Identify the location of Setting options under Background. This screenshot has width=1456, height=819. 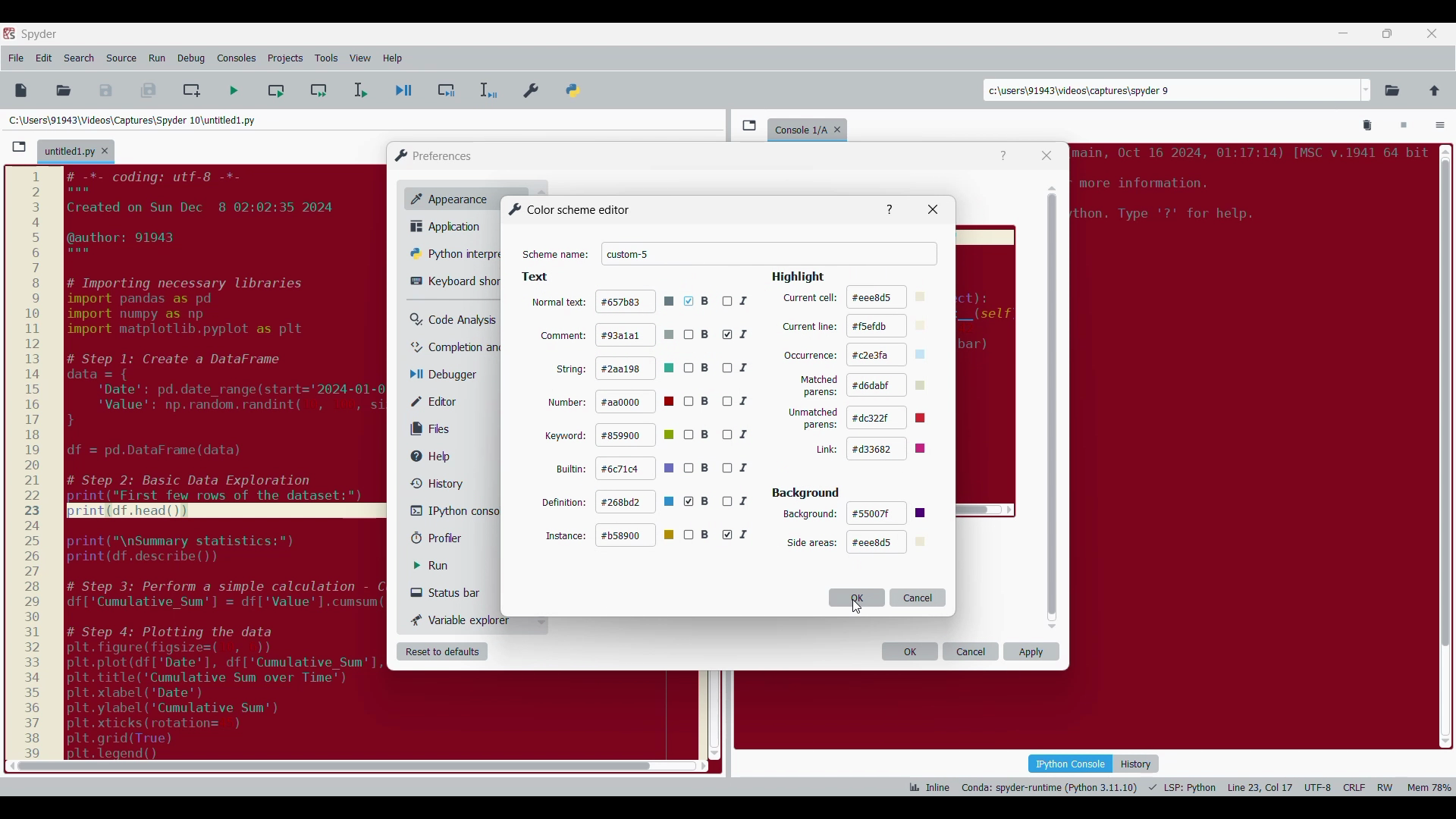
(810, 543).